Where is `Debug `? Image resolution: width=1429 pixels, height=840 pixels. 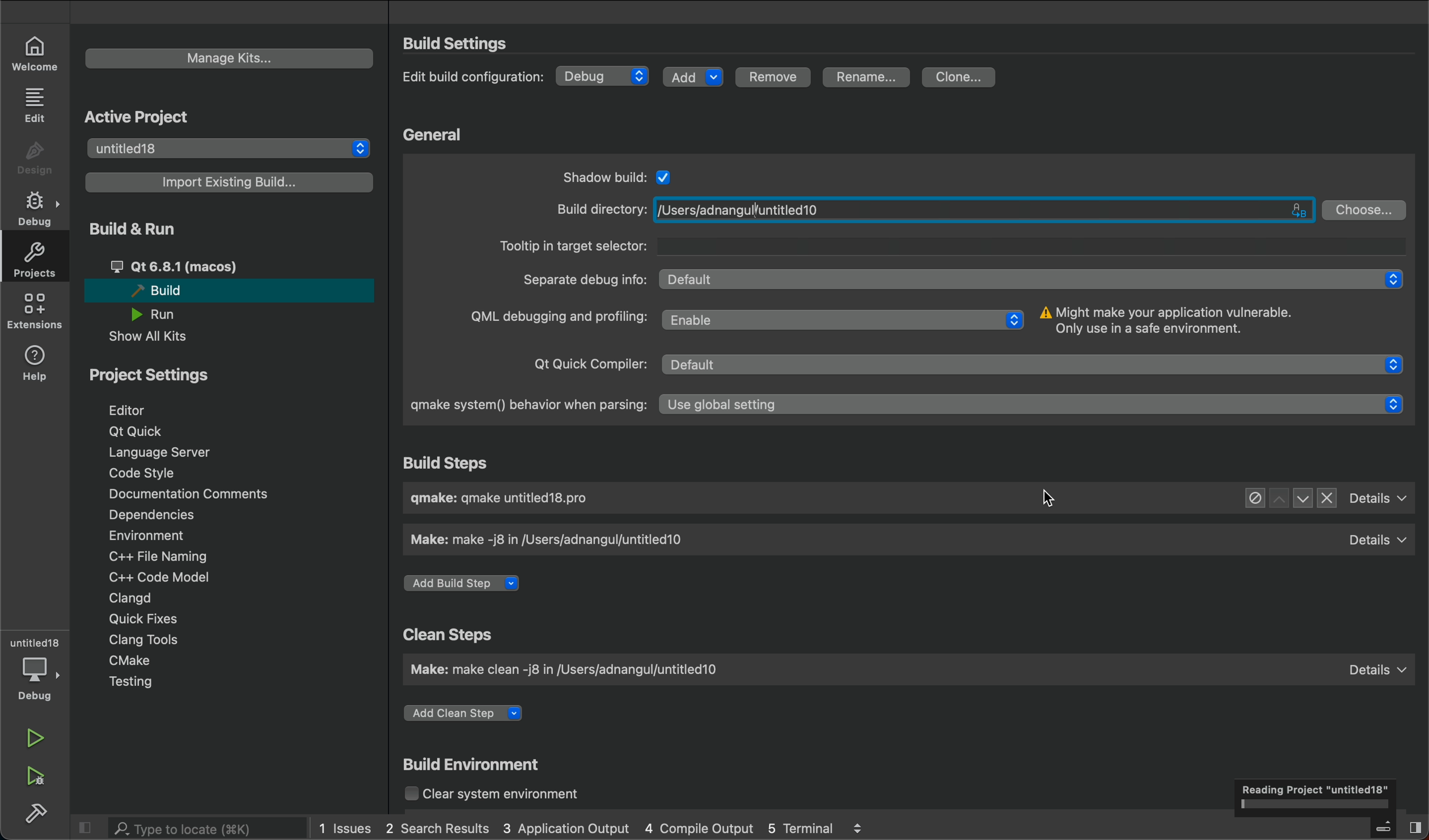 Debug  is located at coordinates (604, 76).